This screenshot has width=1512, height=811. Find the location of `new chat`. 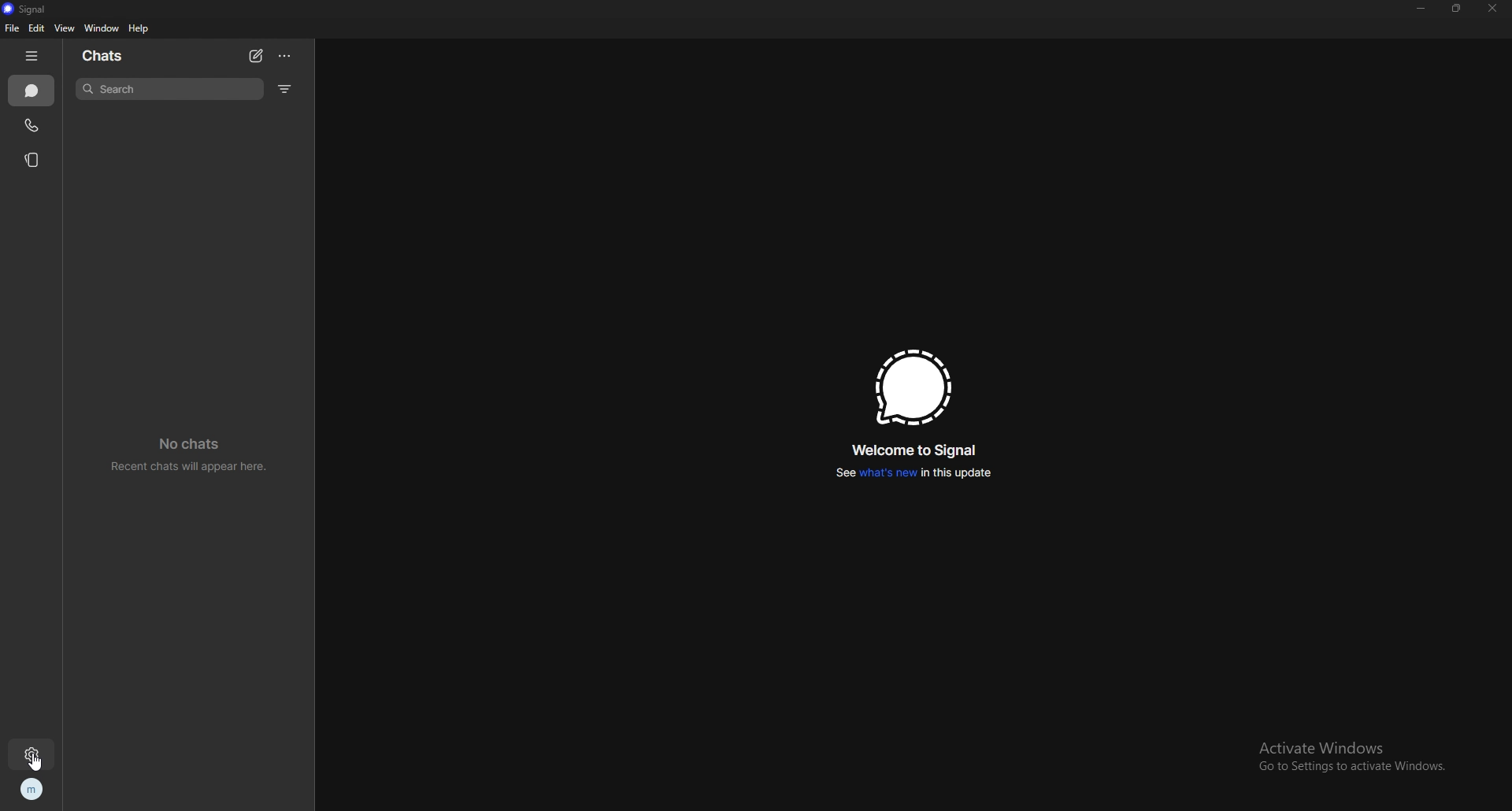

new chat is located at coordinates (256, 56).